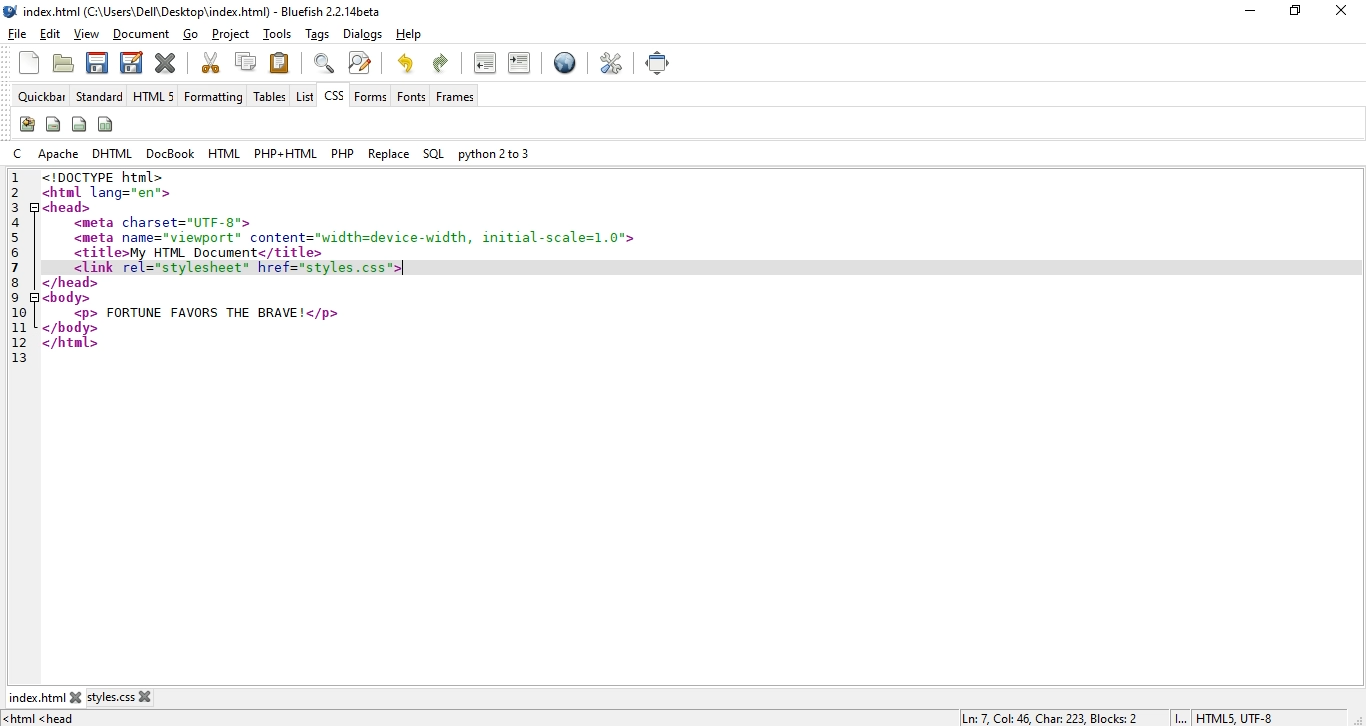  I want to click on new file, so click(31, 63).